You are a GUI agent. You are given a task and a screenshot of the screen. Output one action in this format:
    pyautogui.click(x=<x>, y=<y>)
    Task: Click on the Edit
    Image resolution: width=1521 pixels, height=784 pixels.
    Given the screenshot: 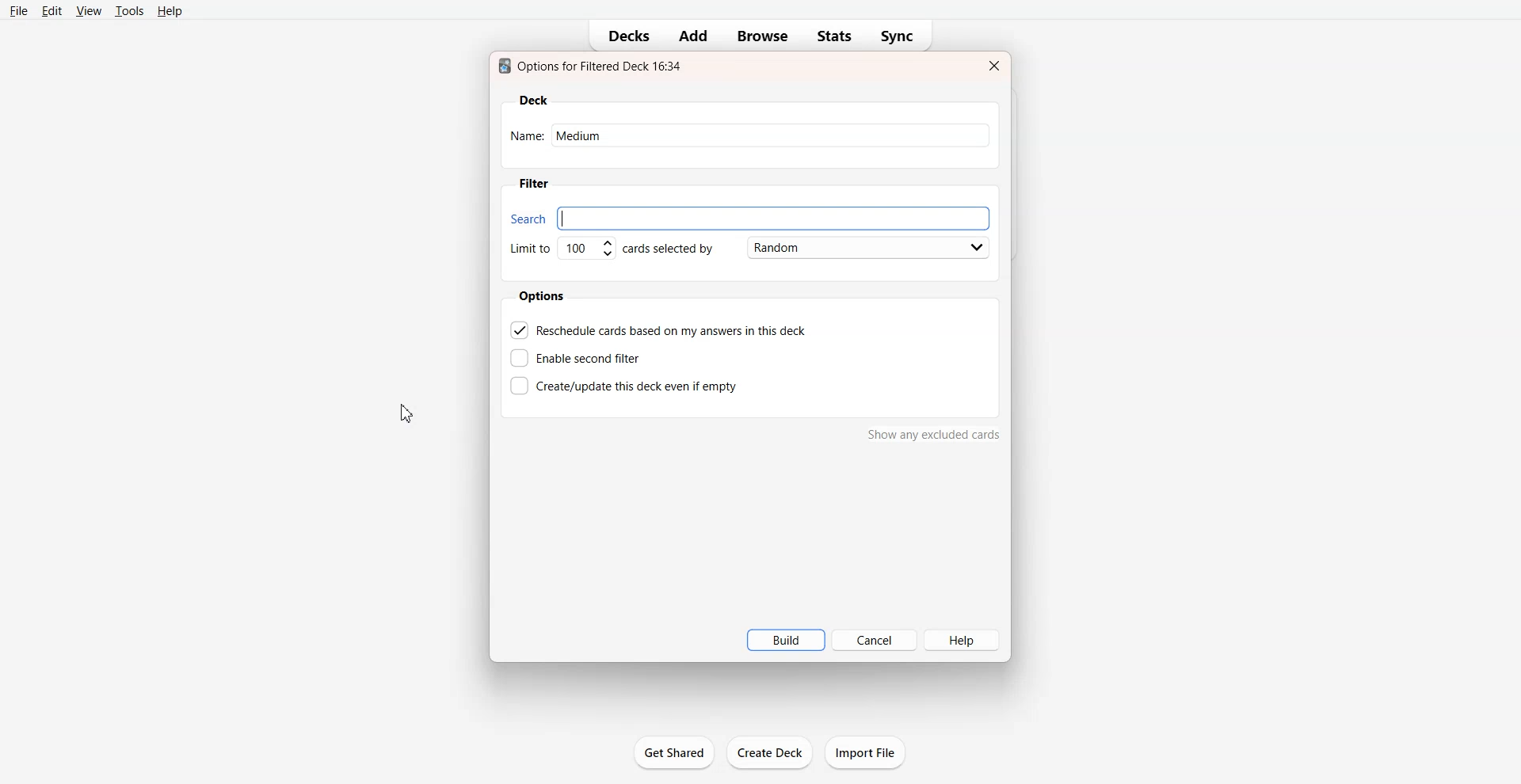 What is the action you would take?
    pyautogui.click(x=53, y=11)
    